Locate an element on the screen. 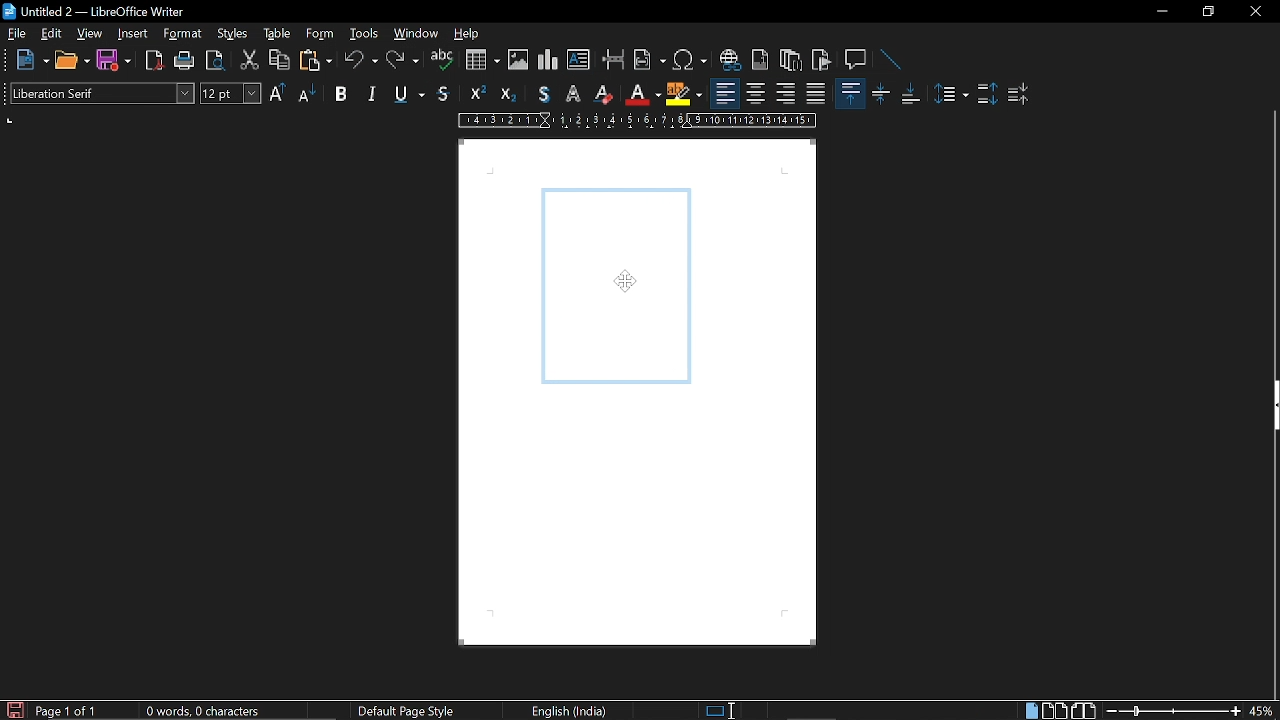 This screenshot has height=720, width=1280. Align bottom is located at coordinates (913, 92).